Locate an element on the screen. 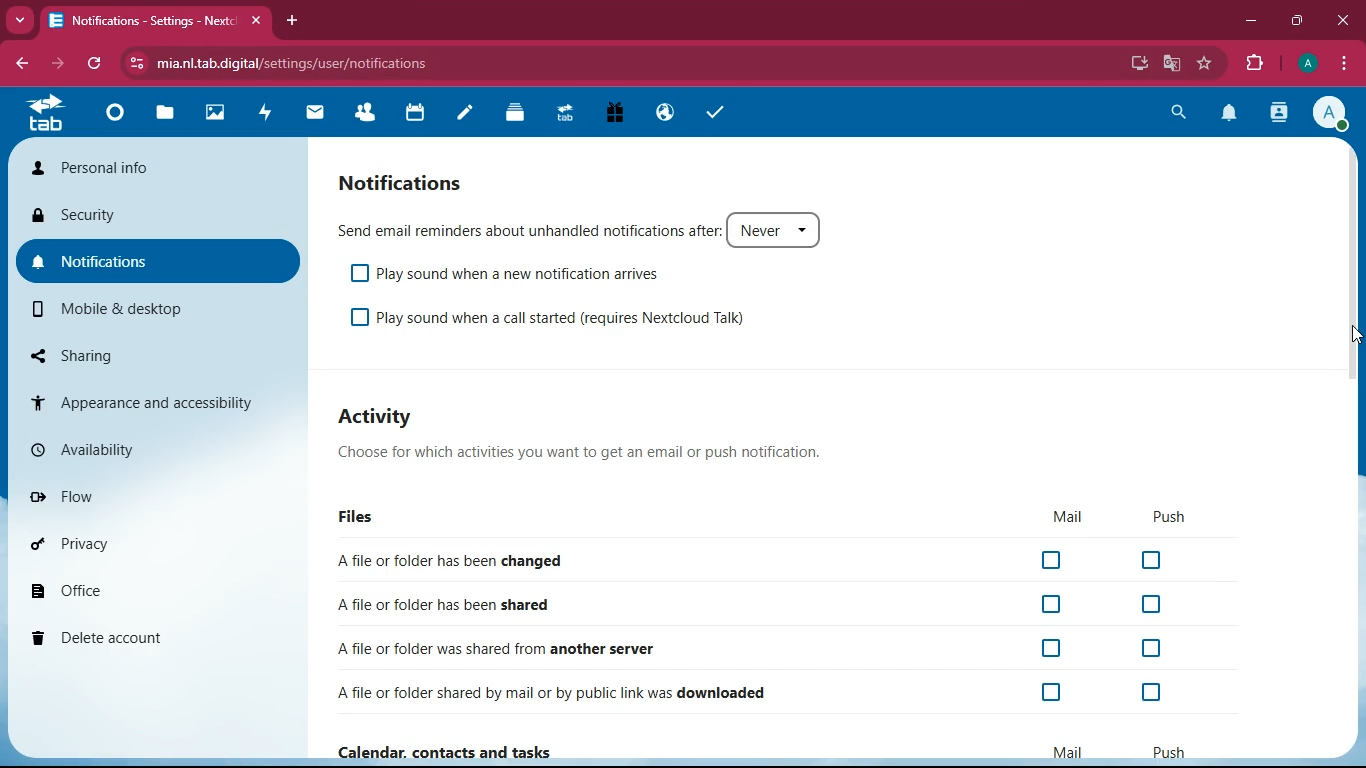 Image resolution: width=1366 pixels, height=768 pixels. favorite is located at coordinates (1206, 63).